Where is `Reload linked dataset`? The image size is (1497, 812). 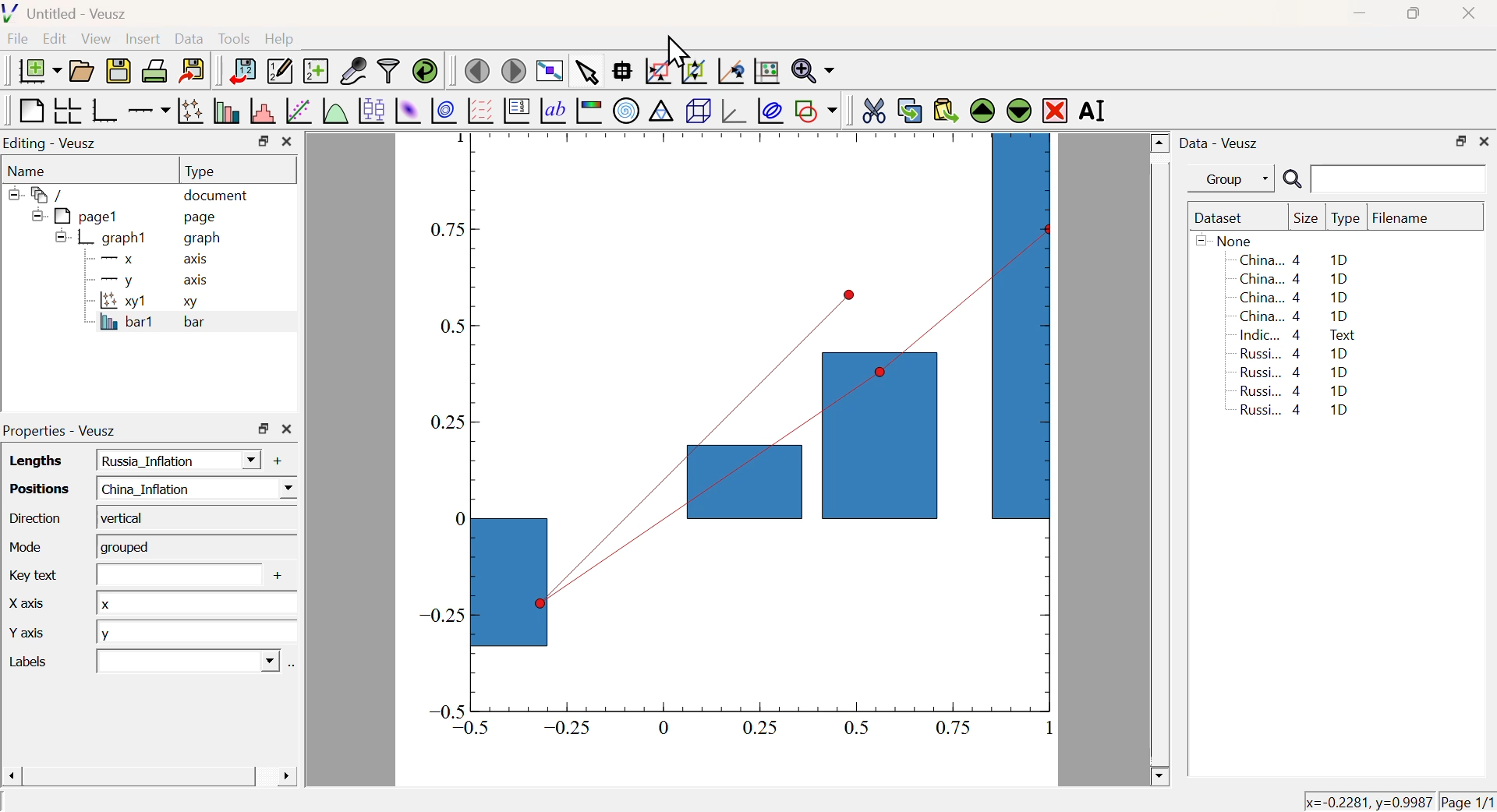 Reload linked dataset is located at coordinates (425, 69).